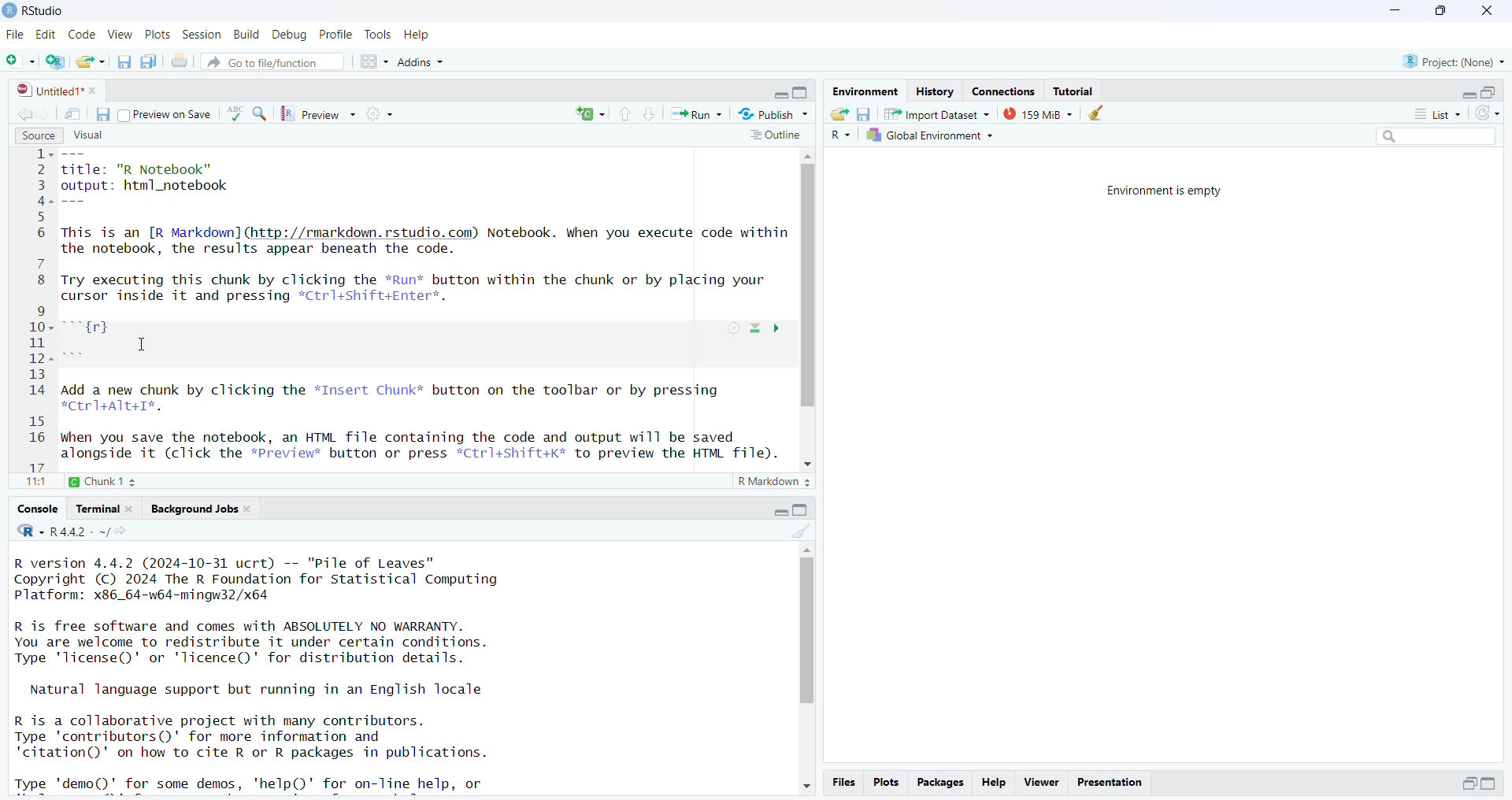  What do you see at coordinates (1430, 139) in the screenshot?
I see `search` at bounding box center [1430, 139].